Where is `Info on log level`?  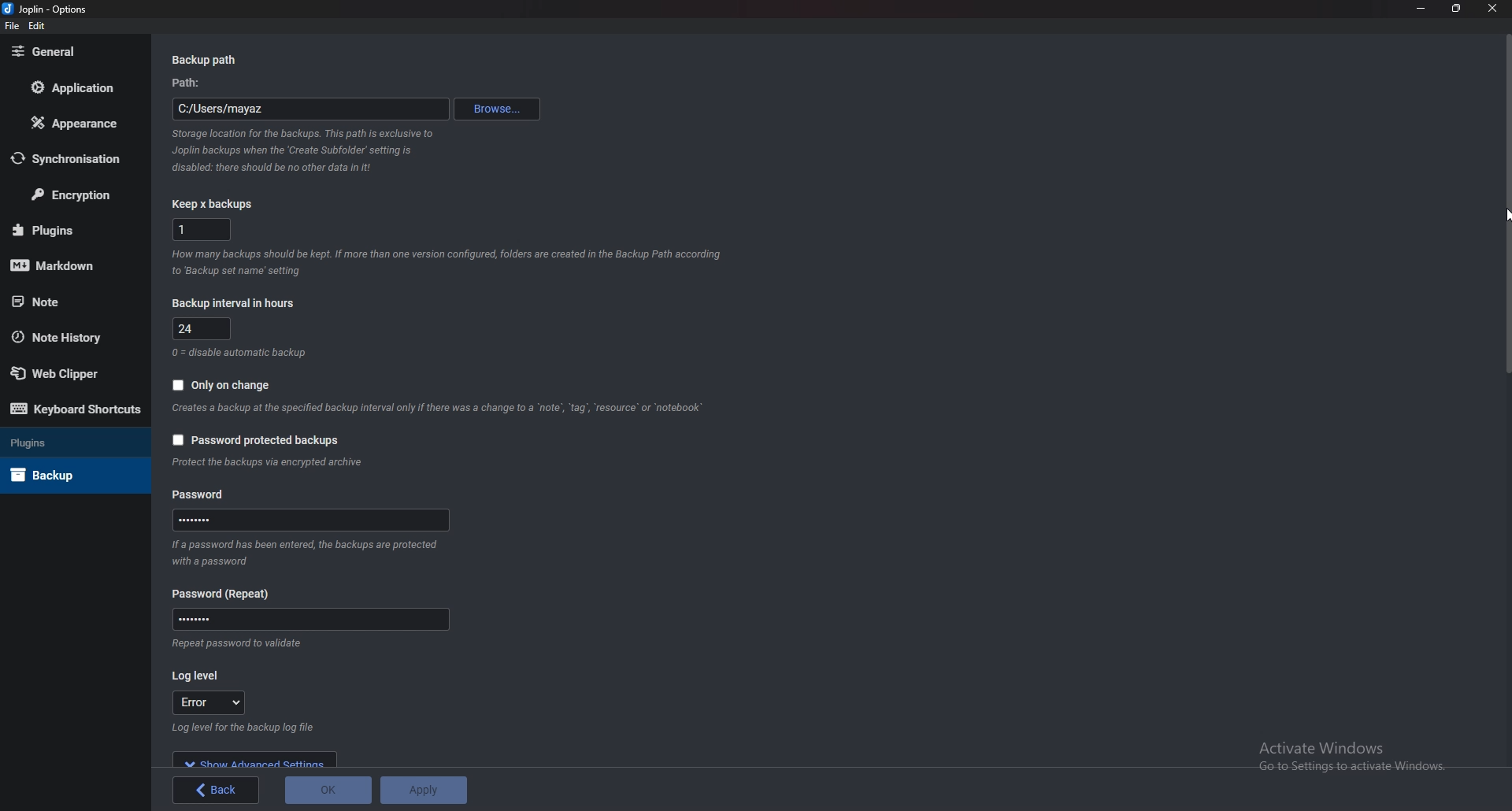 Info on log level is located at coordinates (239, 728).